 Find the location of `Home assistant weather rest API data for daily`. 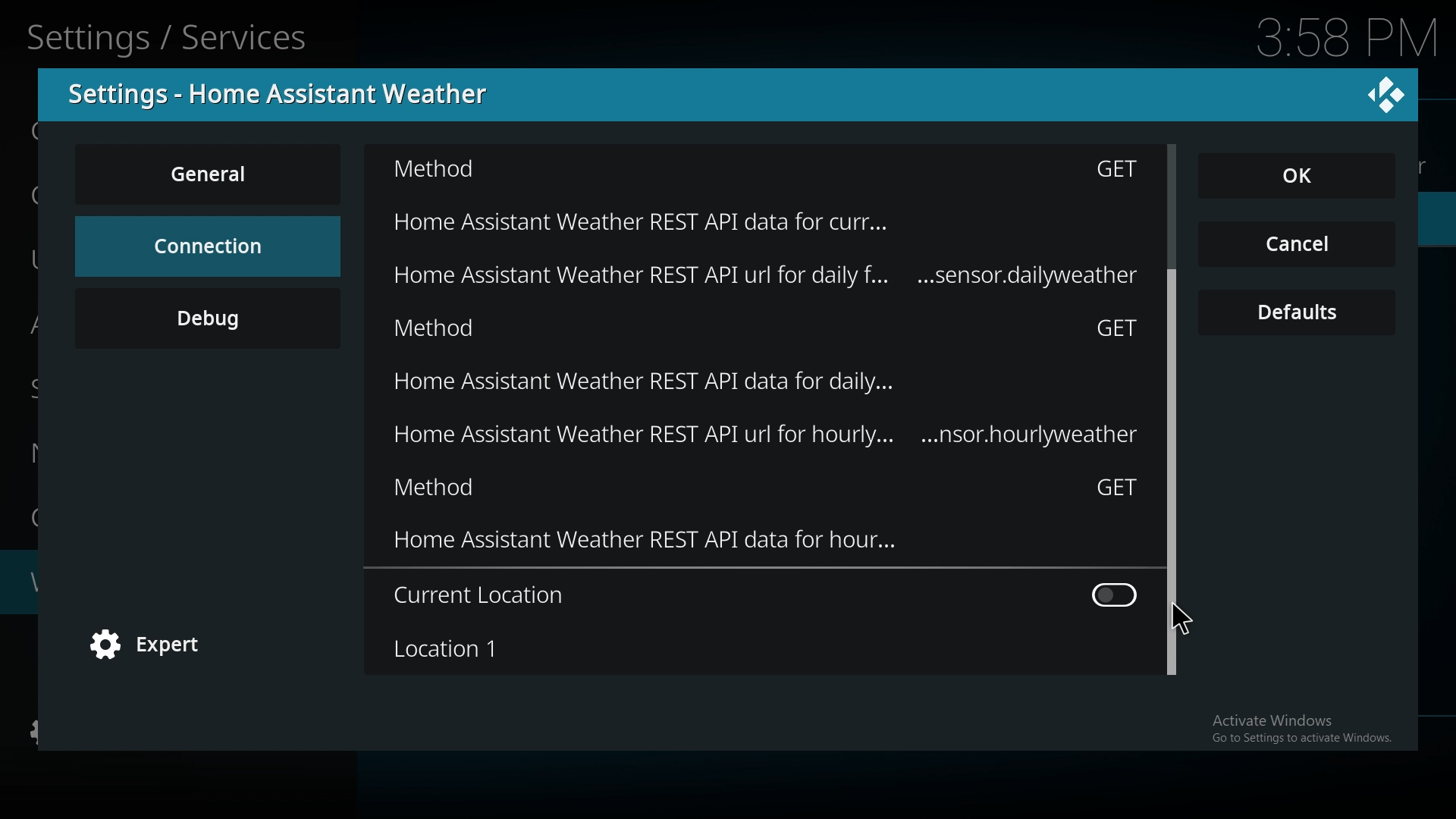

Home assistant weather rest API data for daily is located at coordinates (789, 386).